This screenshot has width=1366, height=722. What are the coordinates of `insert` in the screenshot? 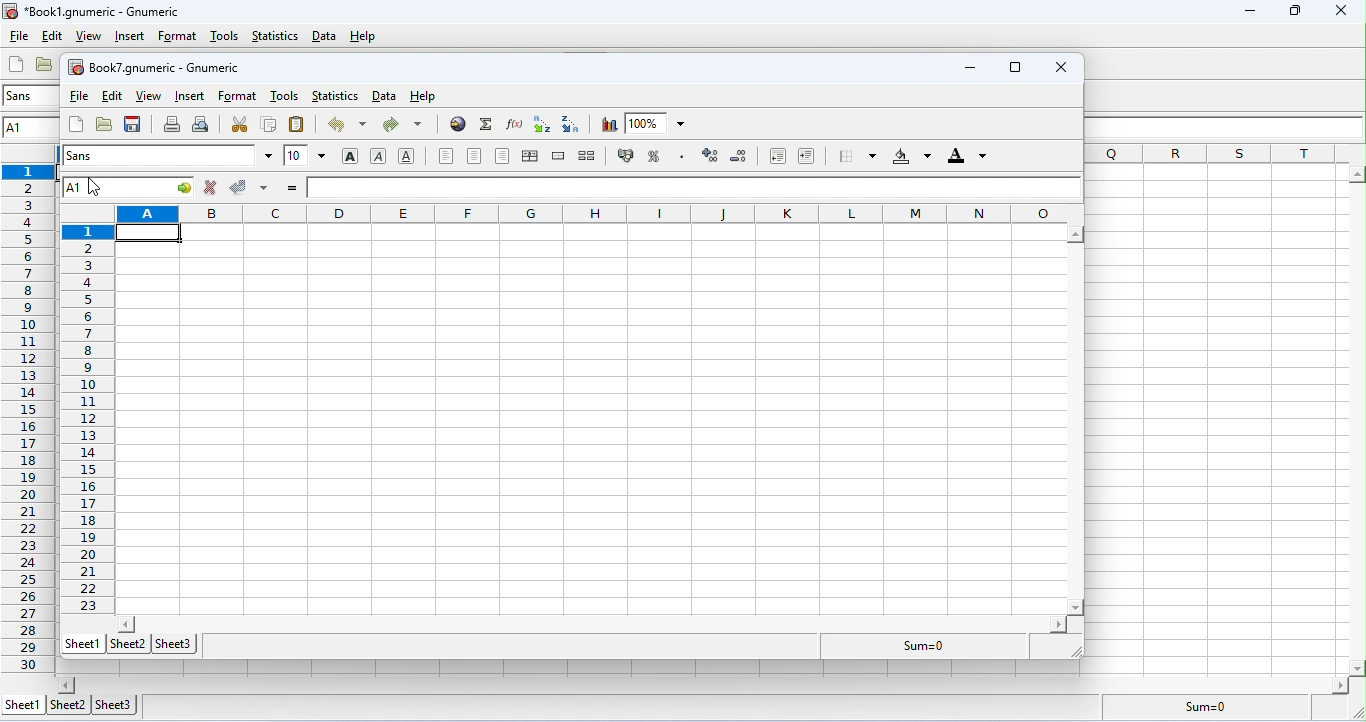 It's located at (130, 37).